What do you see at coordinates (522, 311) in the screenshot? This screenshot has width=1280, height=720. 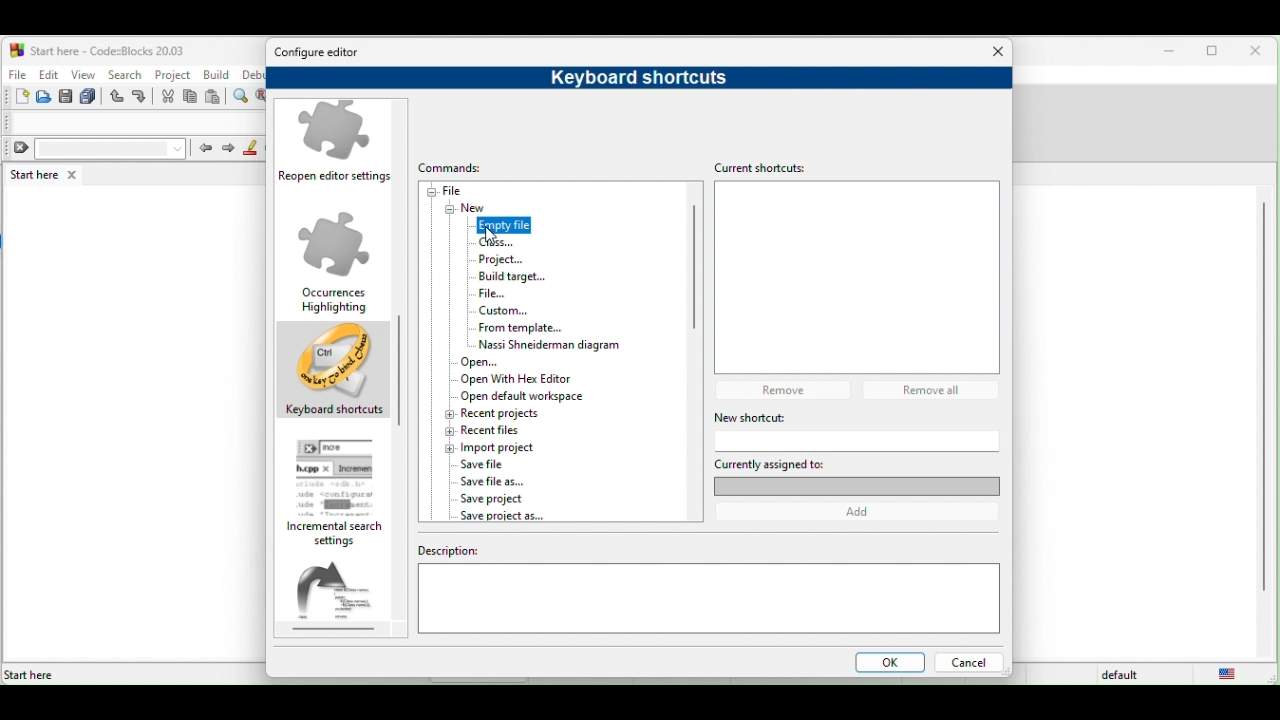 I see `custom` at bounding box center [522, 311].